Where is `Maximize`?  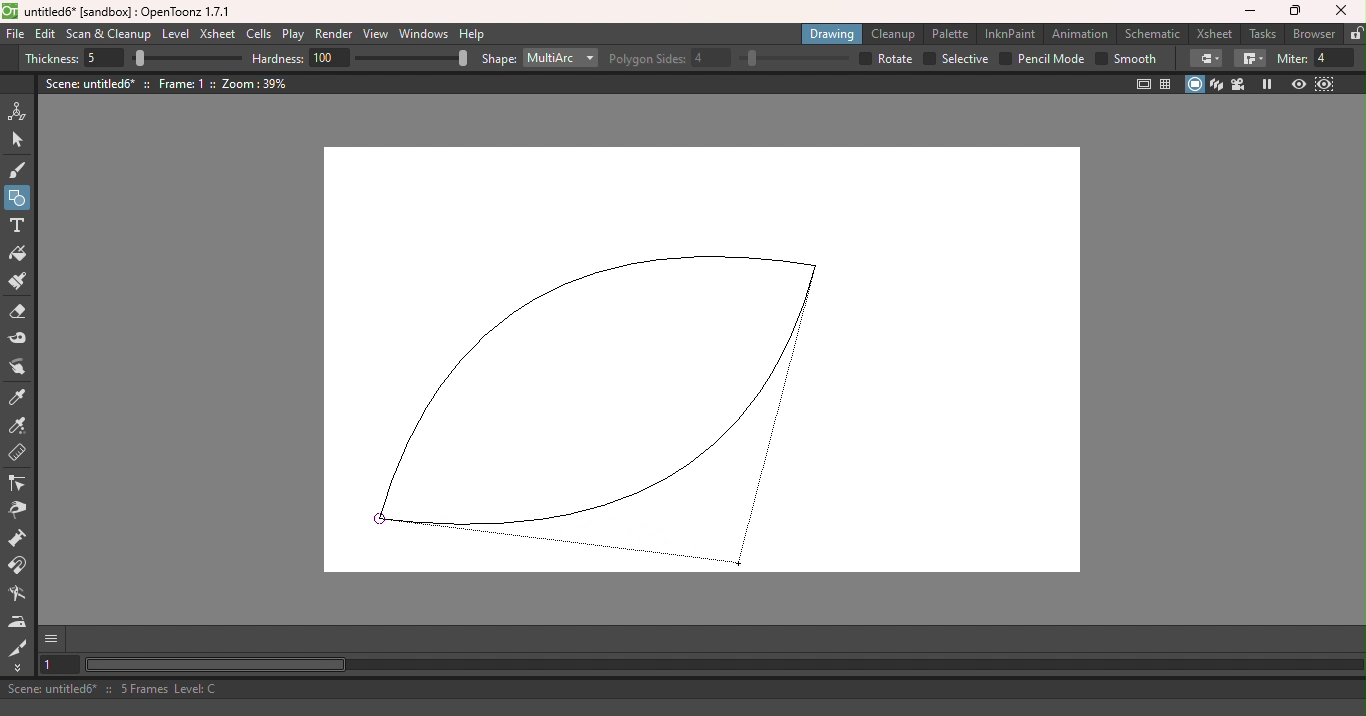
Maximize is located at coordinates (1292, 13).